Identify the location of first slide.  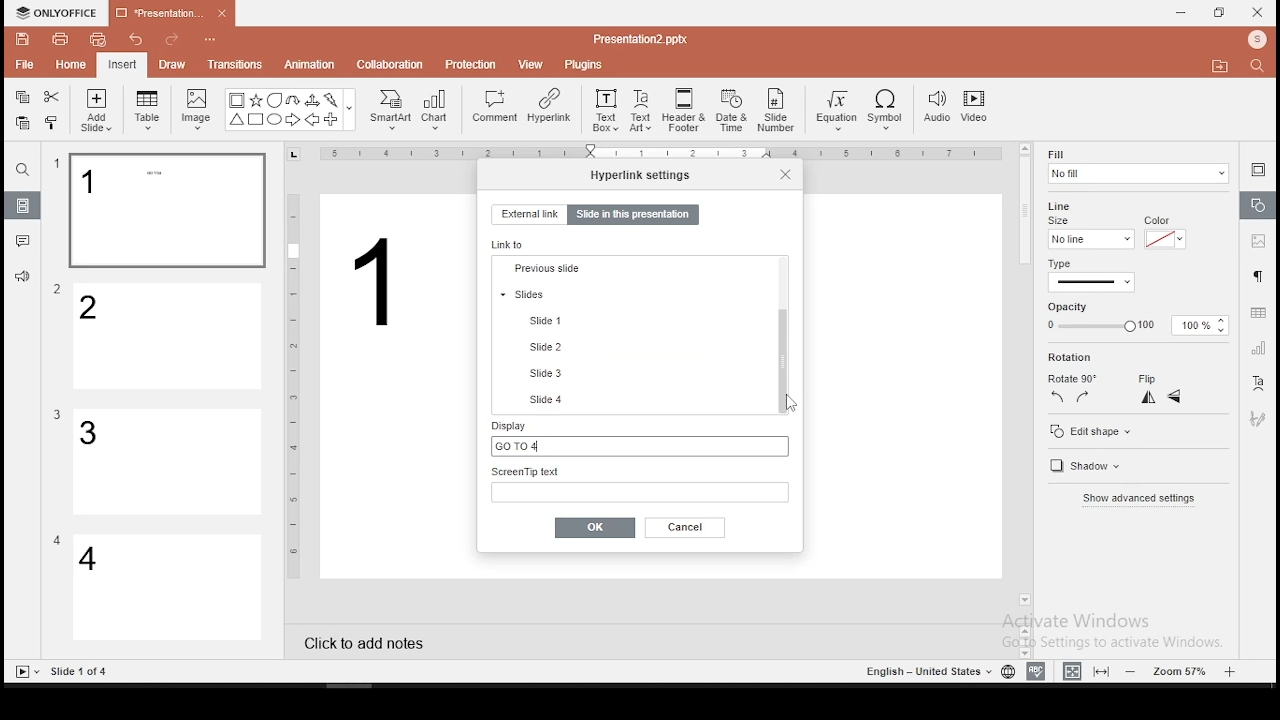
(632, 269).